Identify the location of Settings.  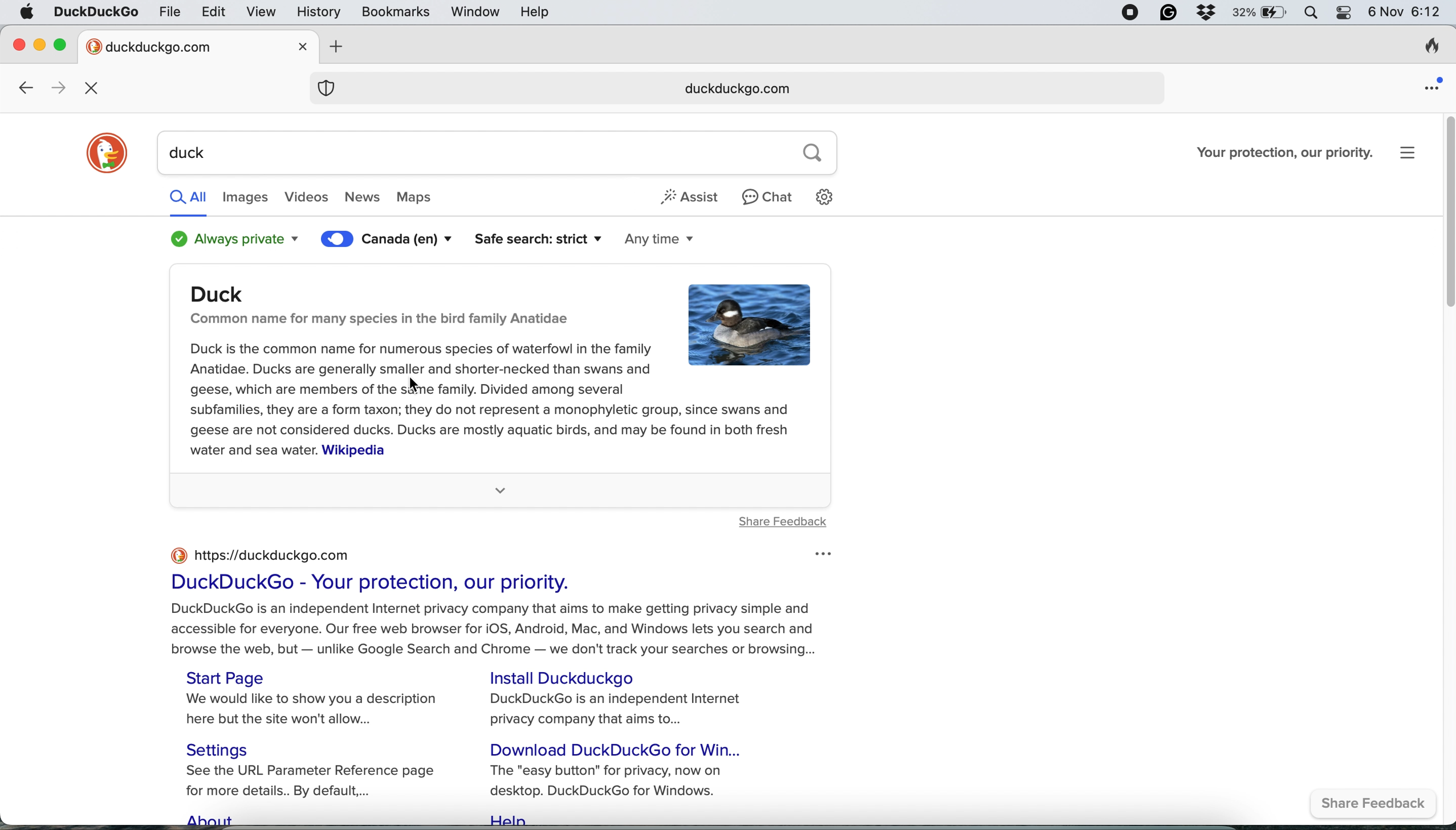
(225, 748).